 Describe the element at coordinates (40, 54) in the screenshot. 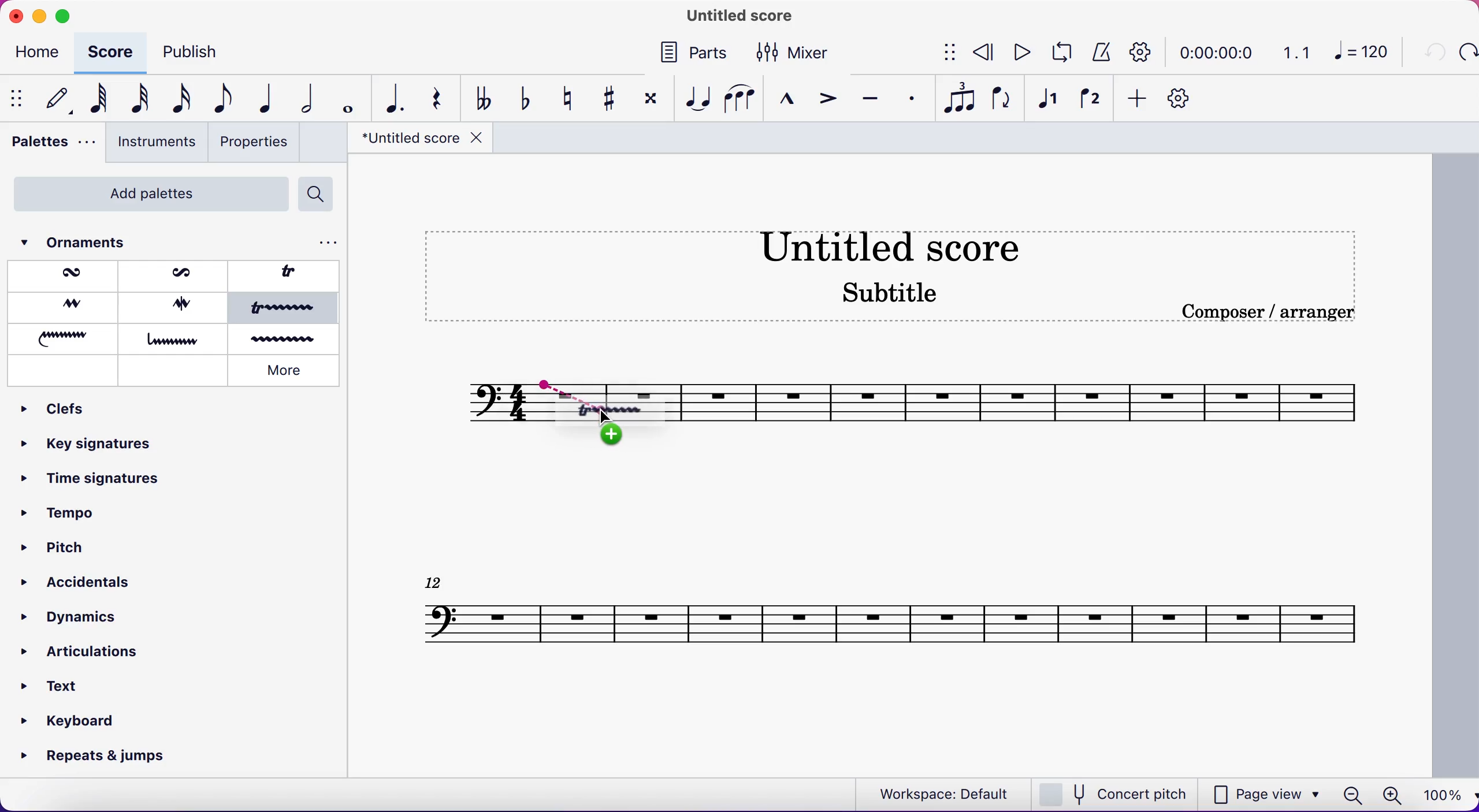

I see `home` at that location.